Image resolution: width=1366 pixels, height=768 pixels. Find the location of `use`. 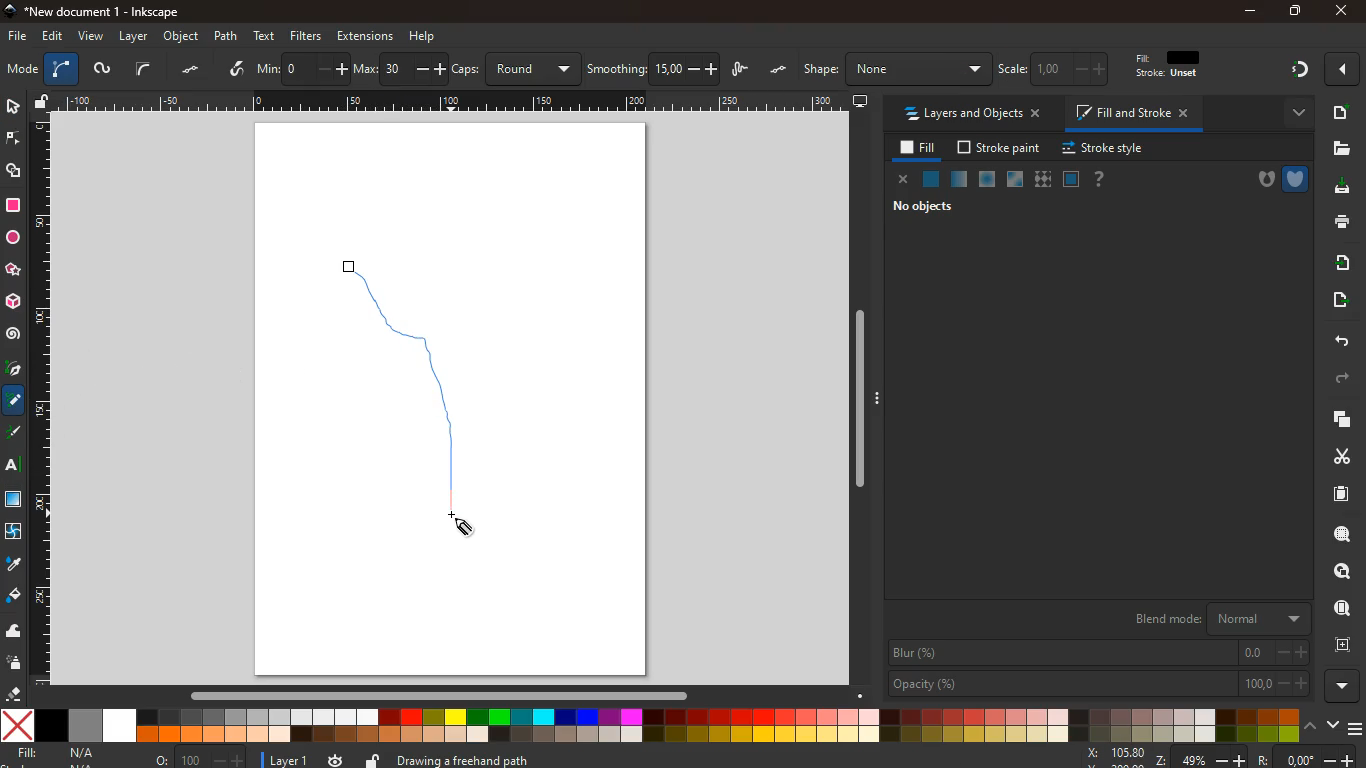

use is located at coordinates (1343, 609).